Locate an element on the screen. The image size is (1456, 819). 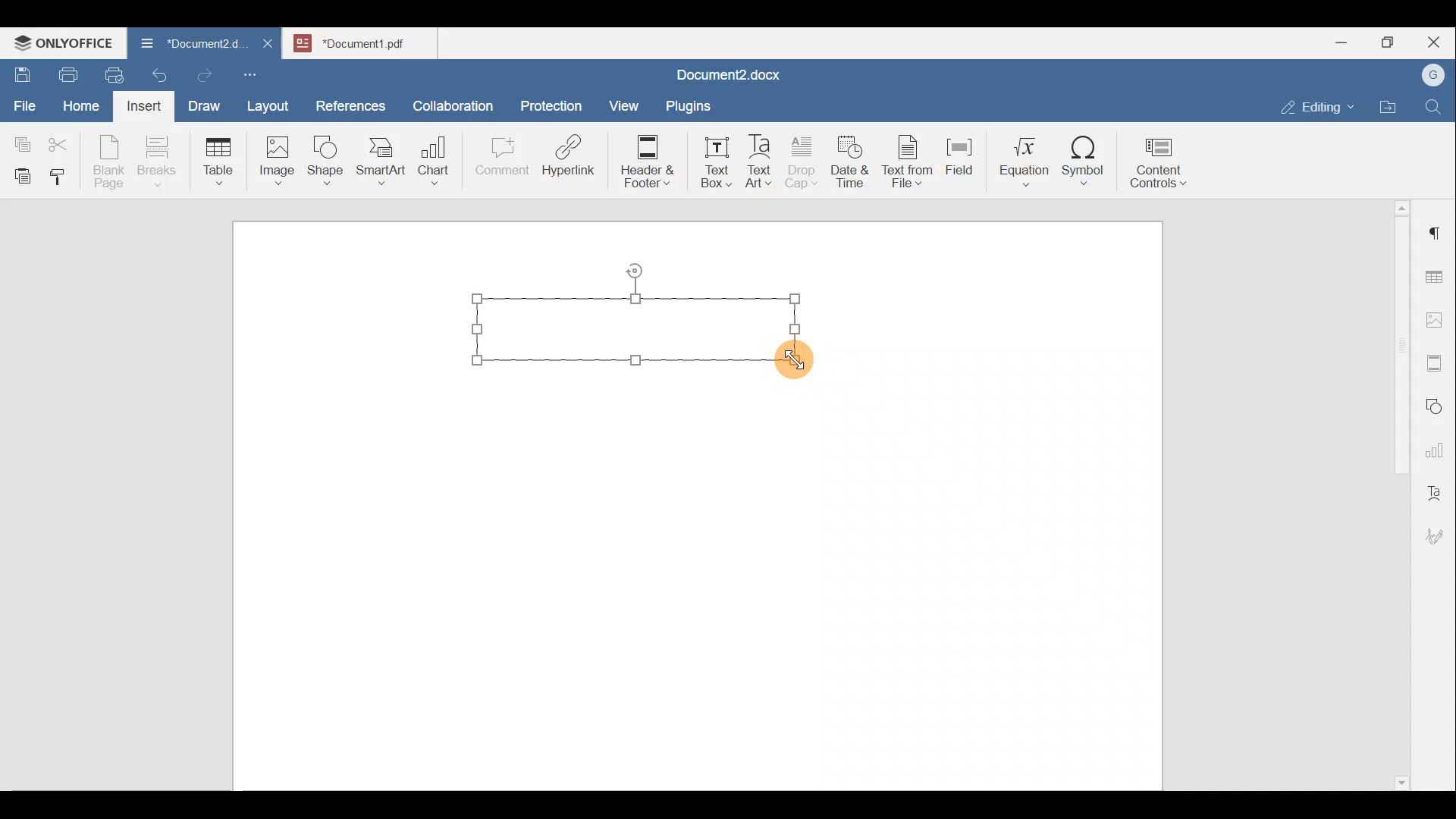
Customize quick access toolbar is located at coordinates (256, 72).